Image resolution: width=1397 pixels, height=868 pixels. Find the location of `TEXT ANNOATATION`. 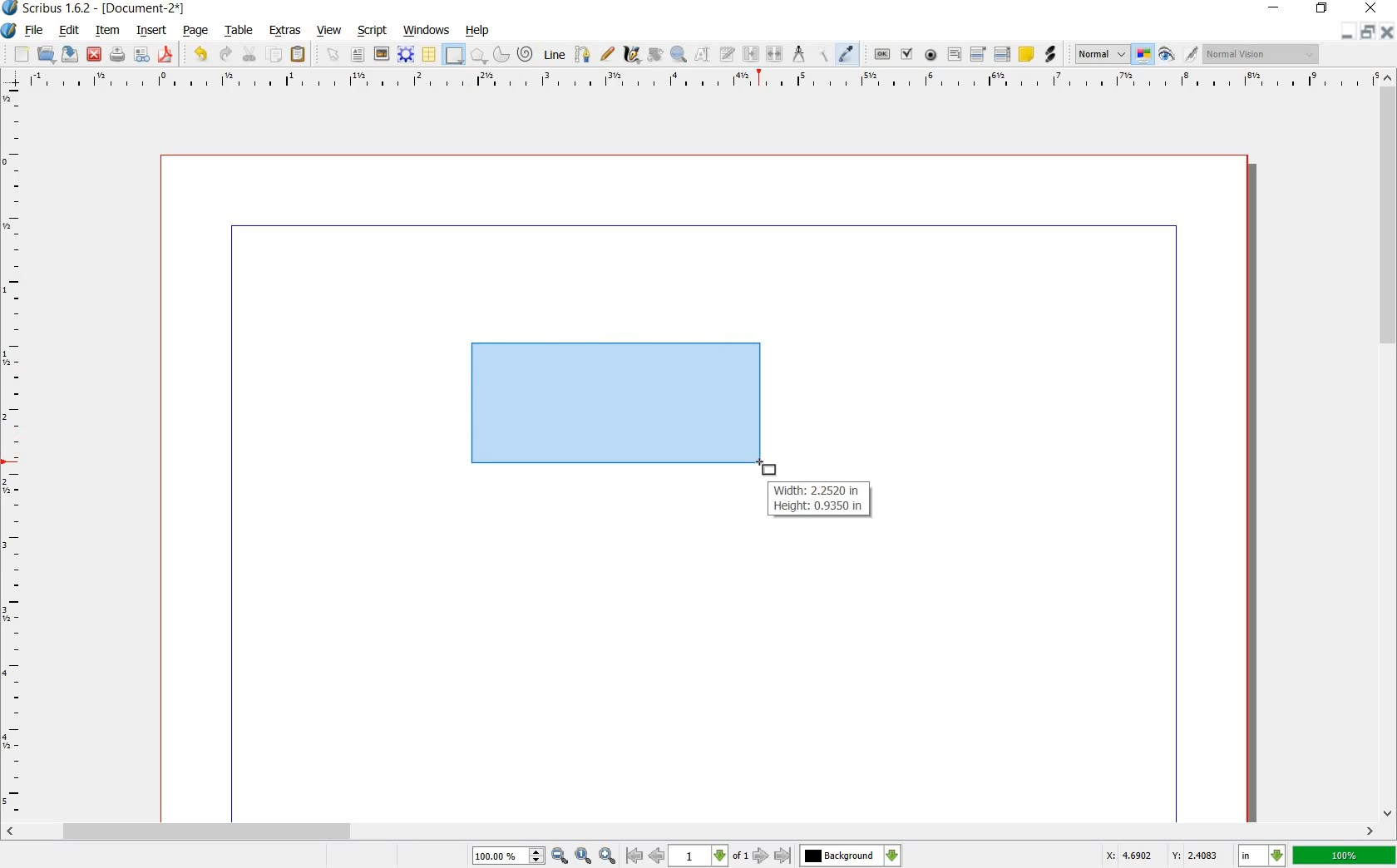

TEXT ANNOATATION is located at coordinates (1025, 55).